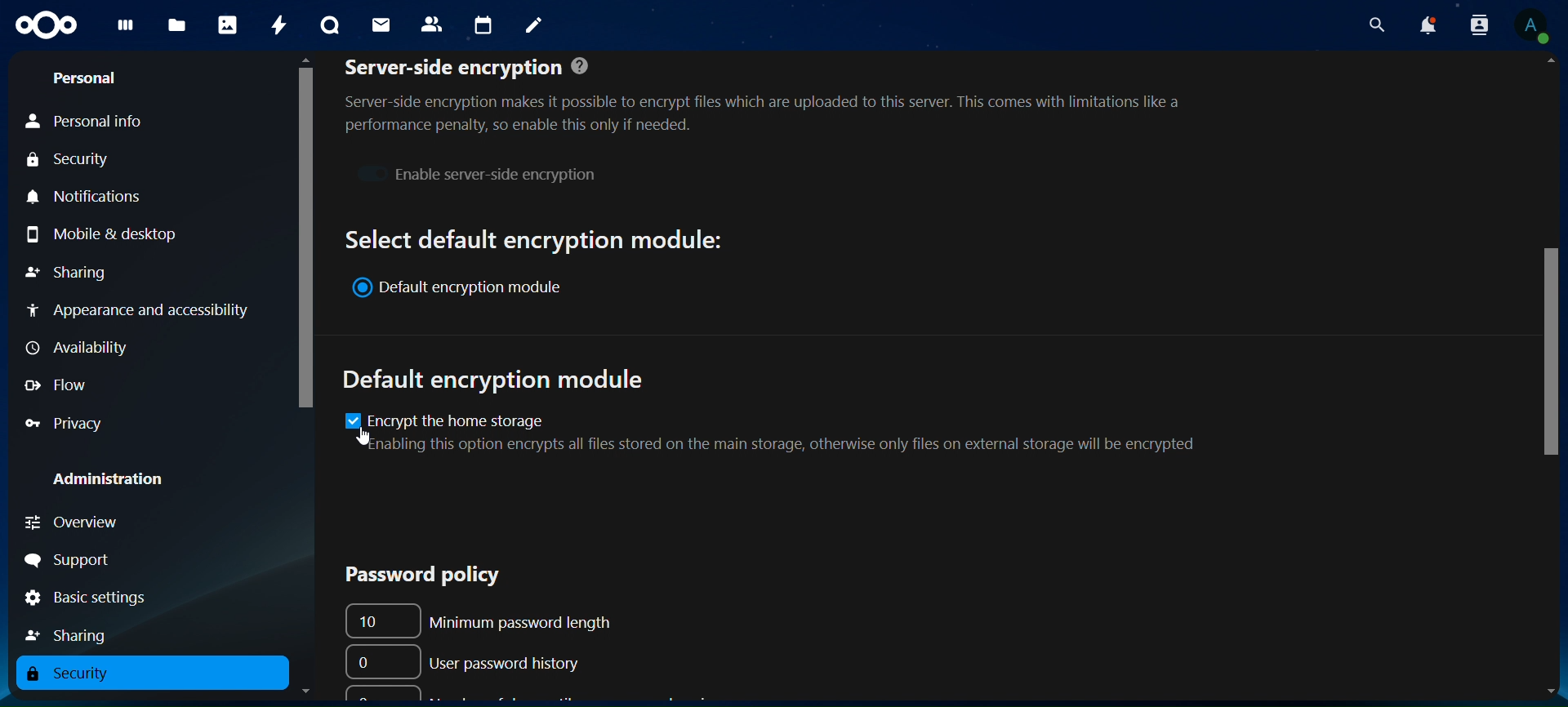 The width and height of the screenshot is (1568, 707). I want to click on files, so click(176, 26).